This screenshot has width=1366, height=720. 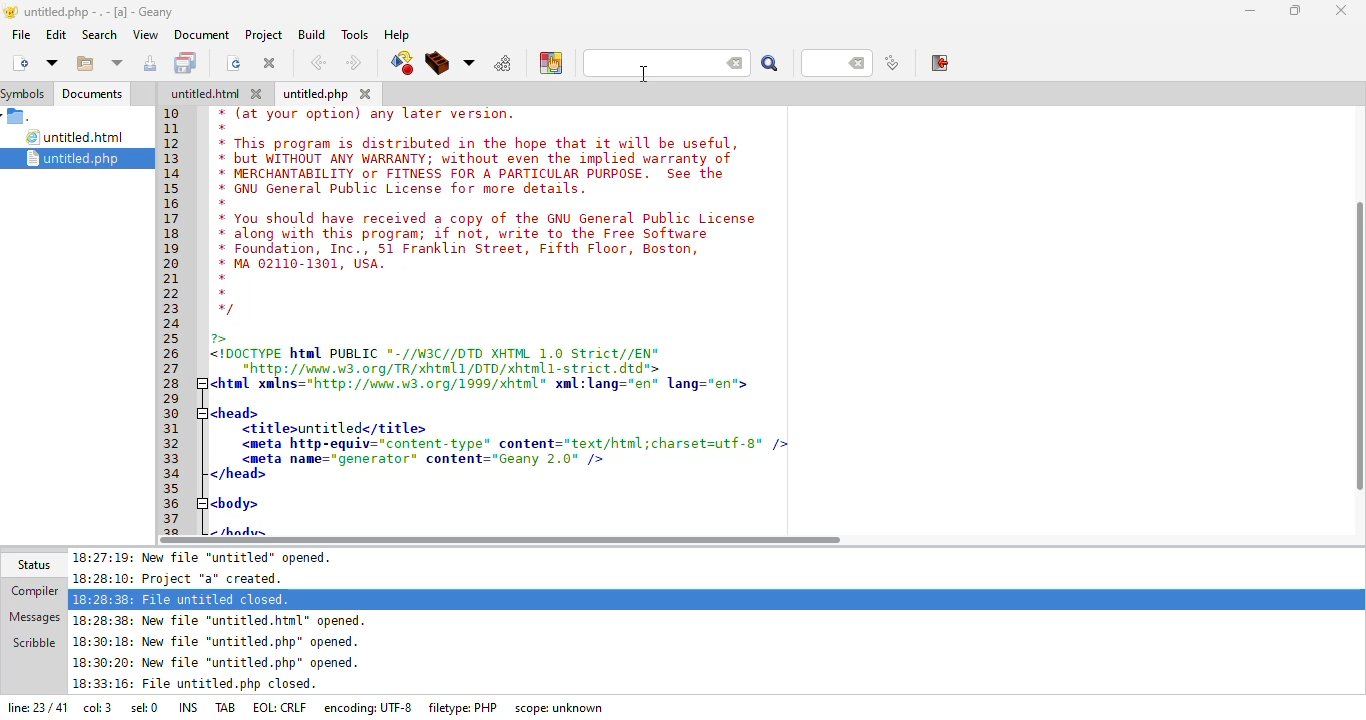 What do you see at coordinates (174, 504) in the screenshot?
I see `36` at bounding box center [174, 504].